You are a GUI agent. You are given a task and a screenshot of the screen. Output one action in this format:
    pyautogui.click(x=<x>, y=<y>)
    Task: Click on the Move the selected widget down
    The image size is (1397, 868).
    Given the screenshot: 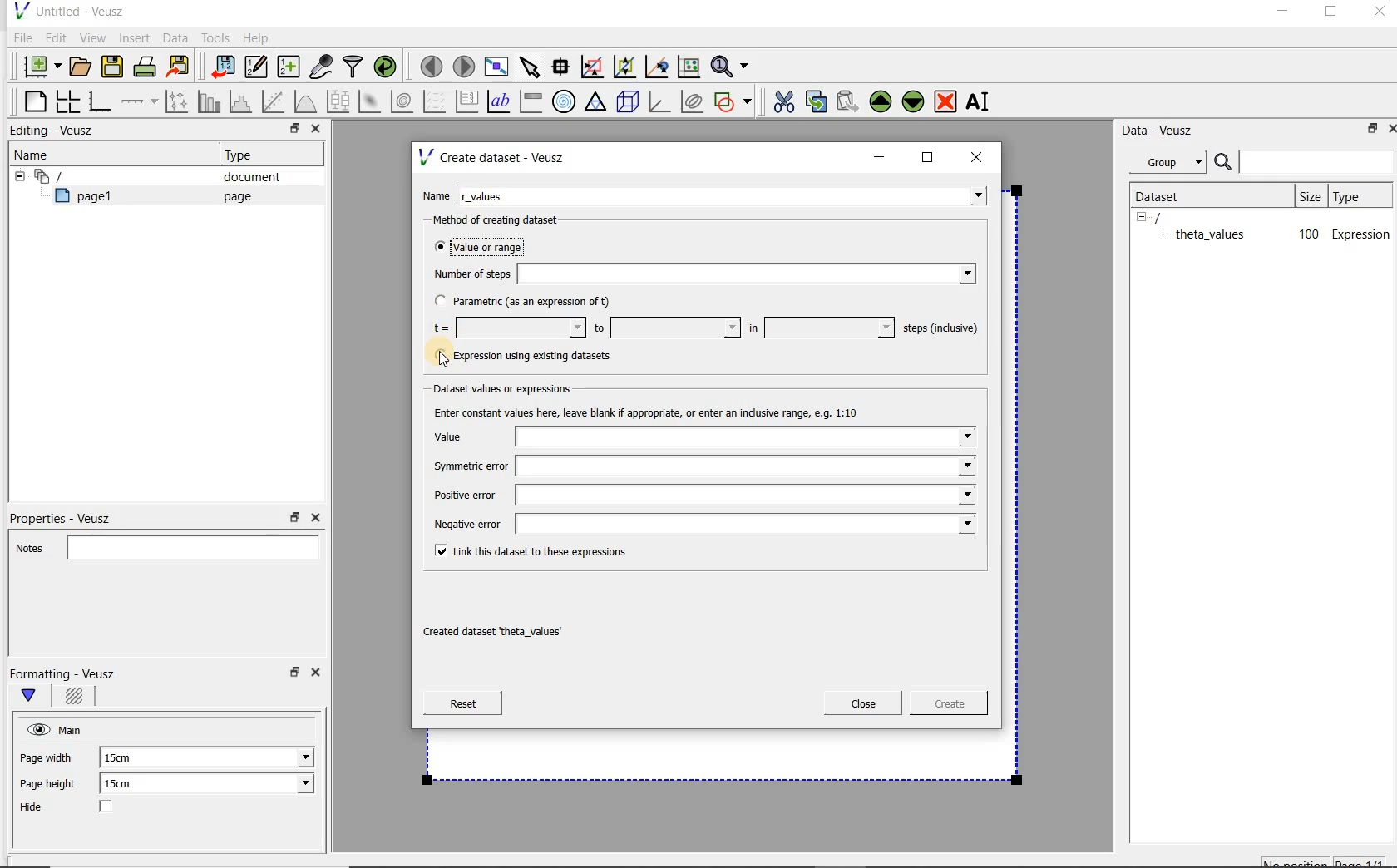 What is the action you would take?
    pyautogui.click(x=914, y=101)
    